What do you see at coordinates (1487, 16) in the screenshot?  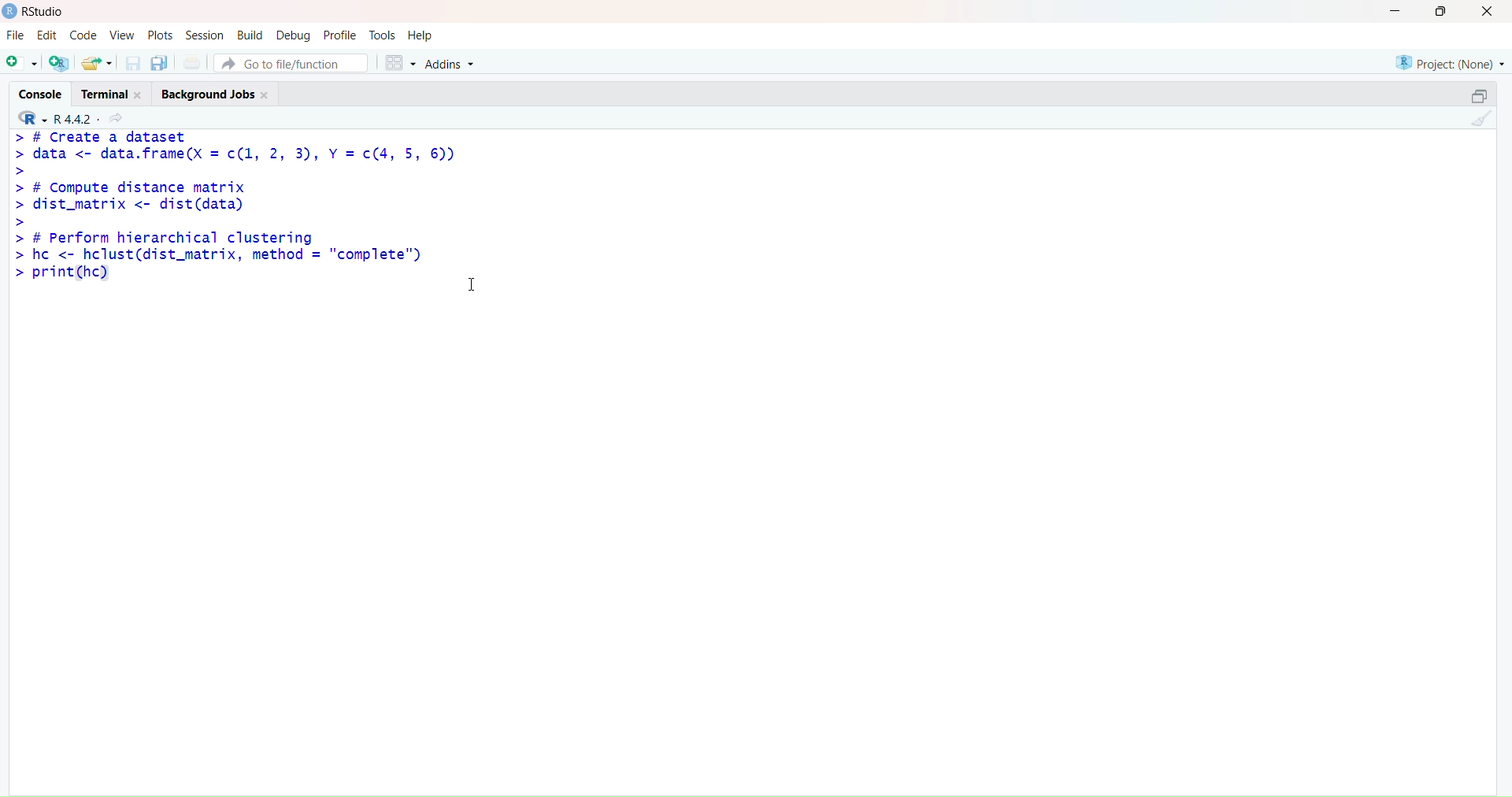 I see `Close` at bounding box center [1487, 16].